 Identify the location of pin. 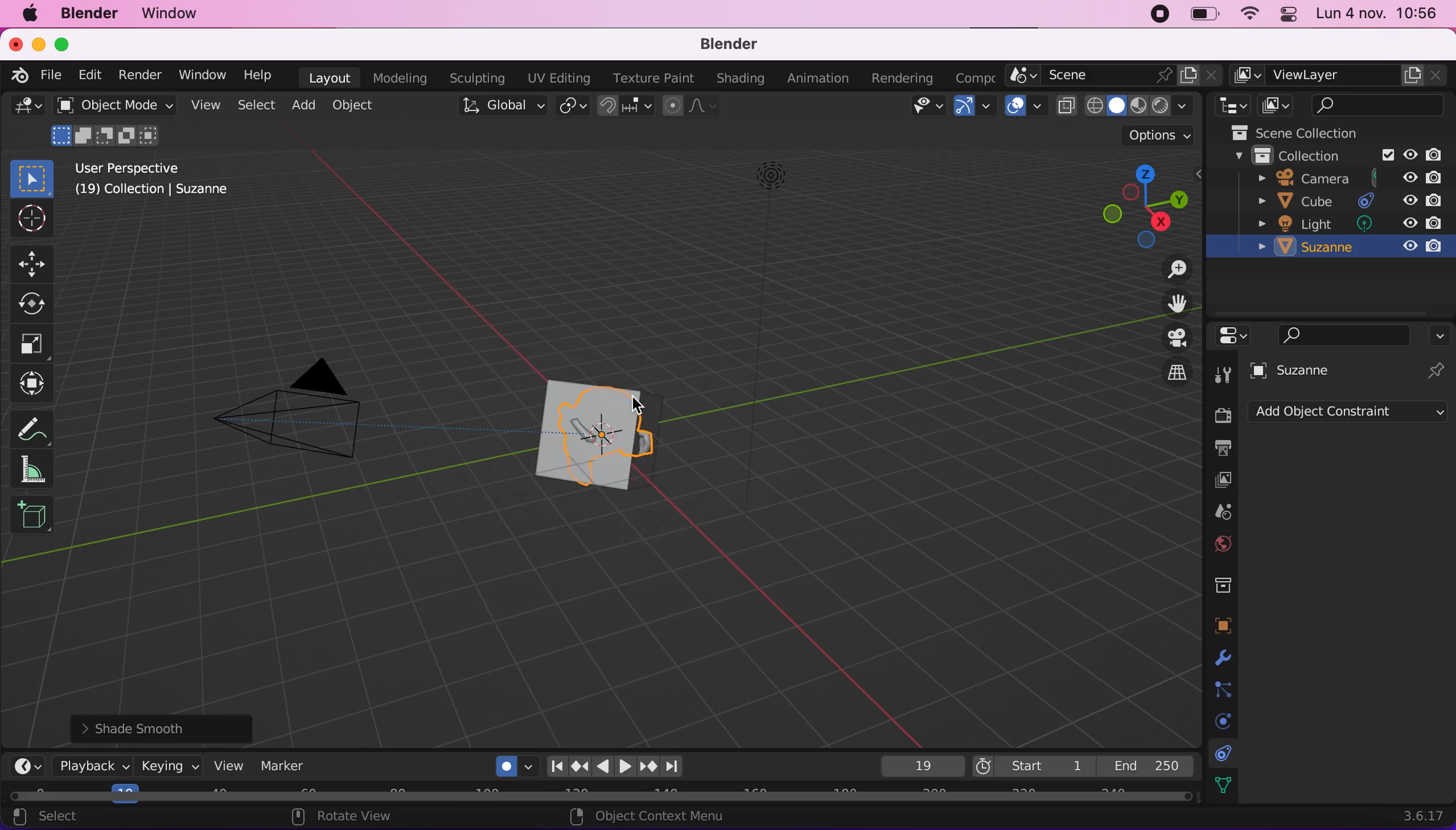
(1438, 369).